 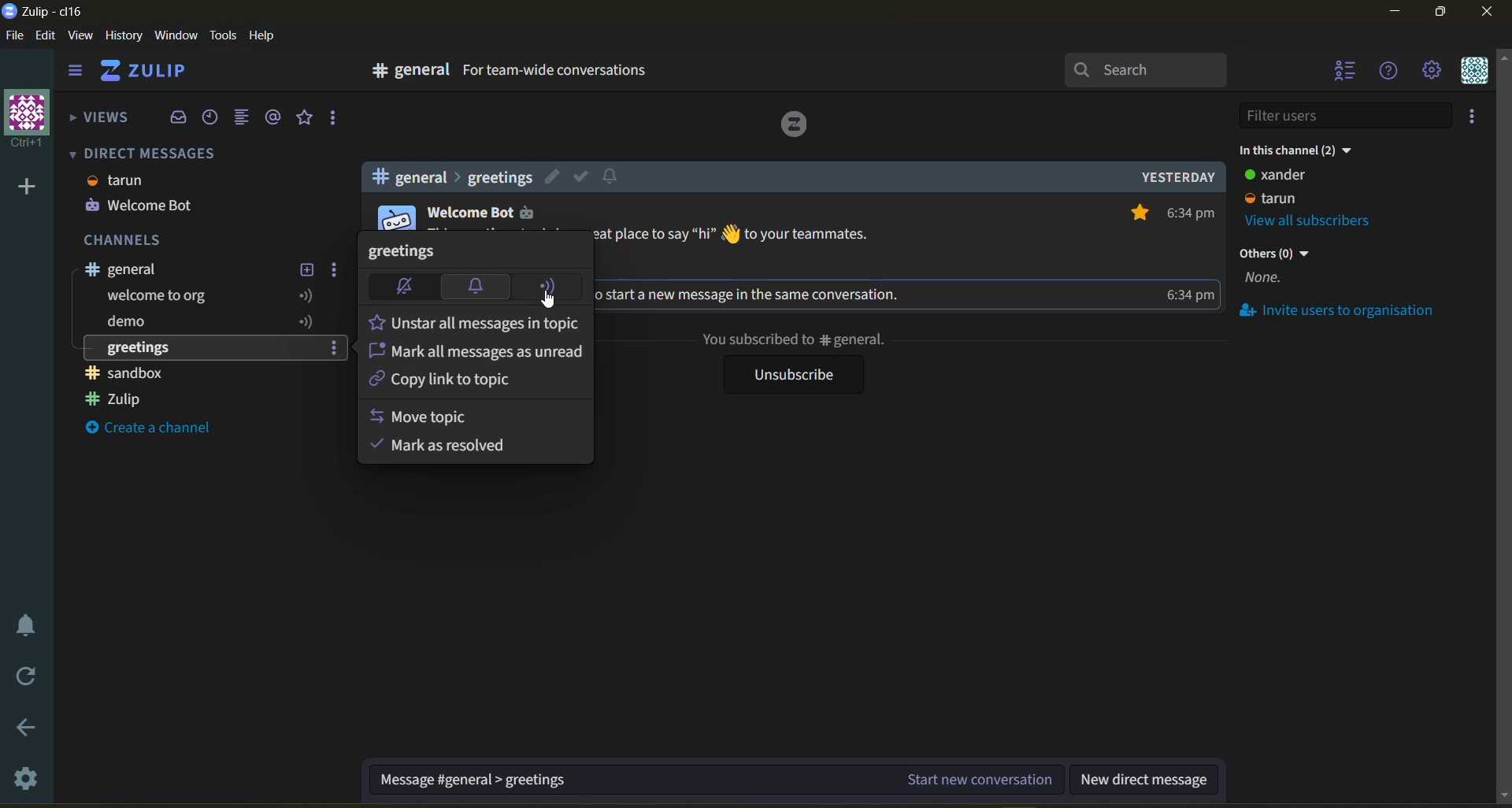 What do you see at coordinates (305, 308) in the screenshot?
I see `following` at bounding box center [305, 308].